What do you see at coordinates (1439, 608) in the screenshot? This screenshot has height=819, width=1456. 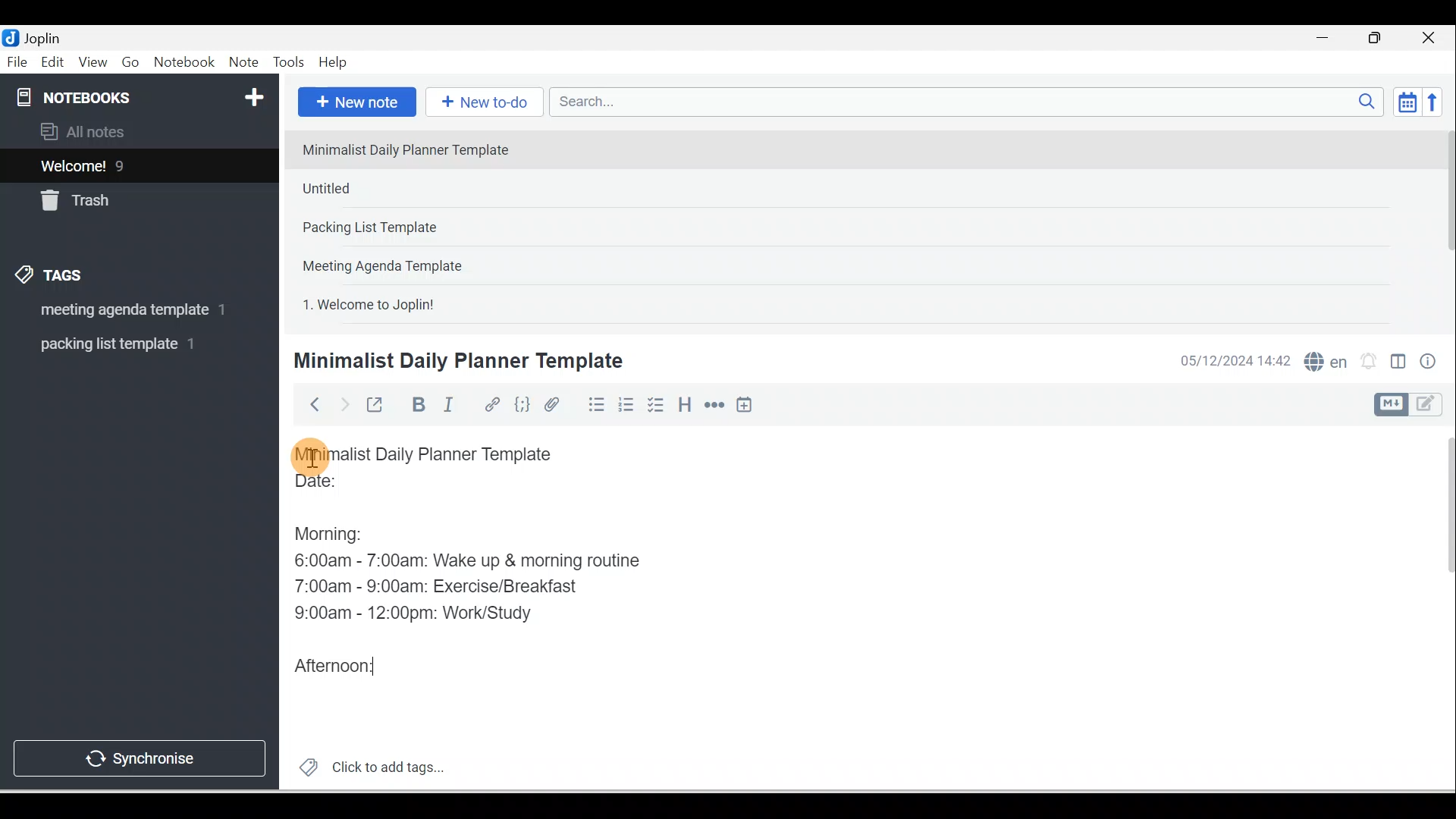 I see `Scroll bar` at bounding box center [1439, 608].